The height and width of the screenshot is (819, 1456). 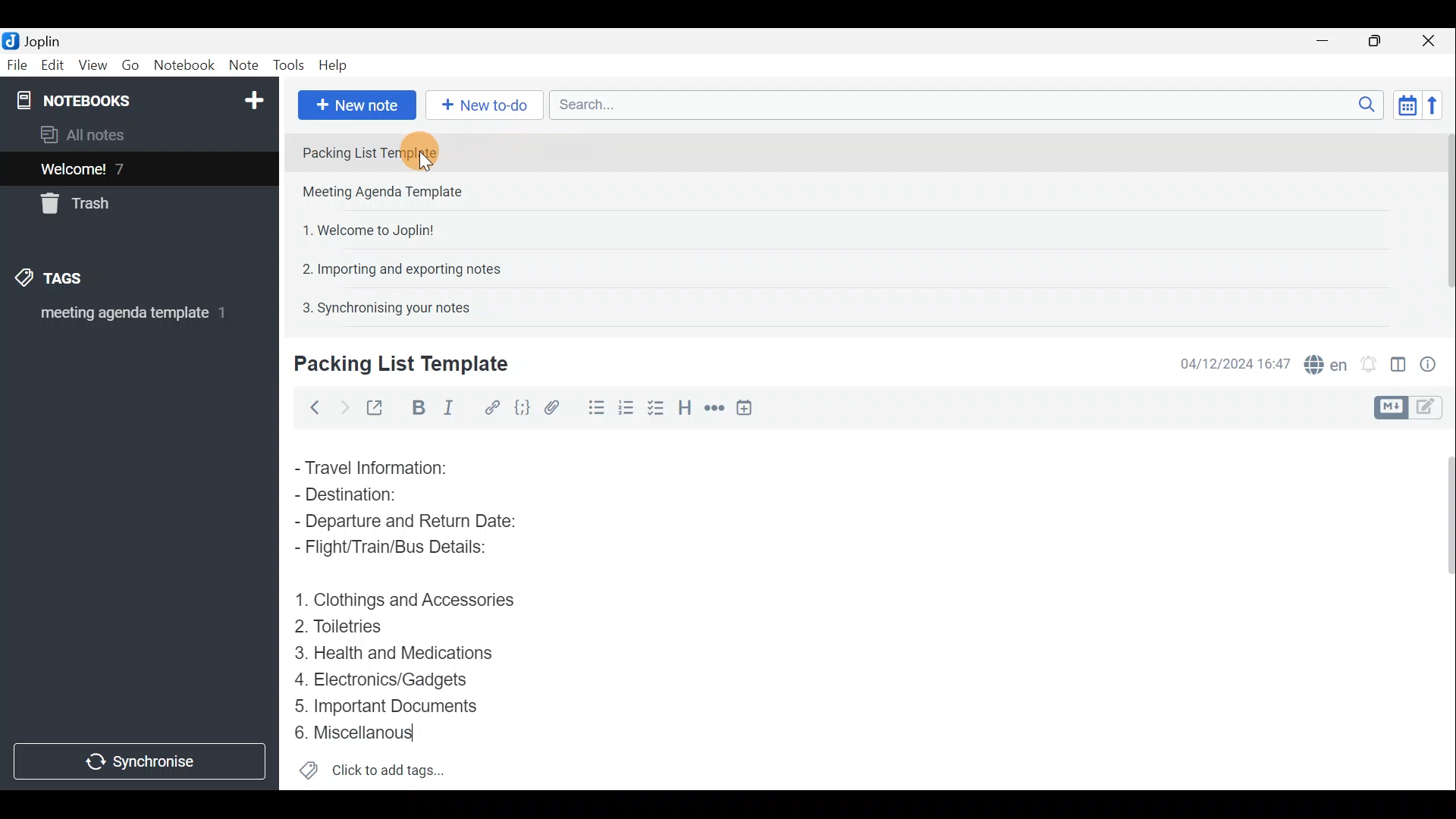 I want to click on Note 2, so click(x=397, y=193).